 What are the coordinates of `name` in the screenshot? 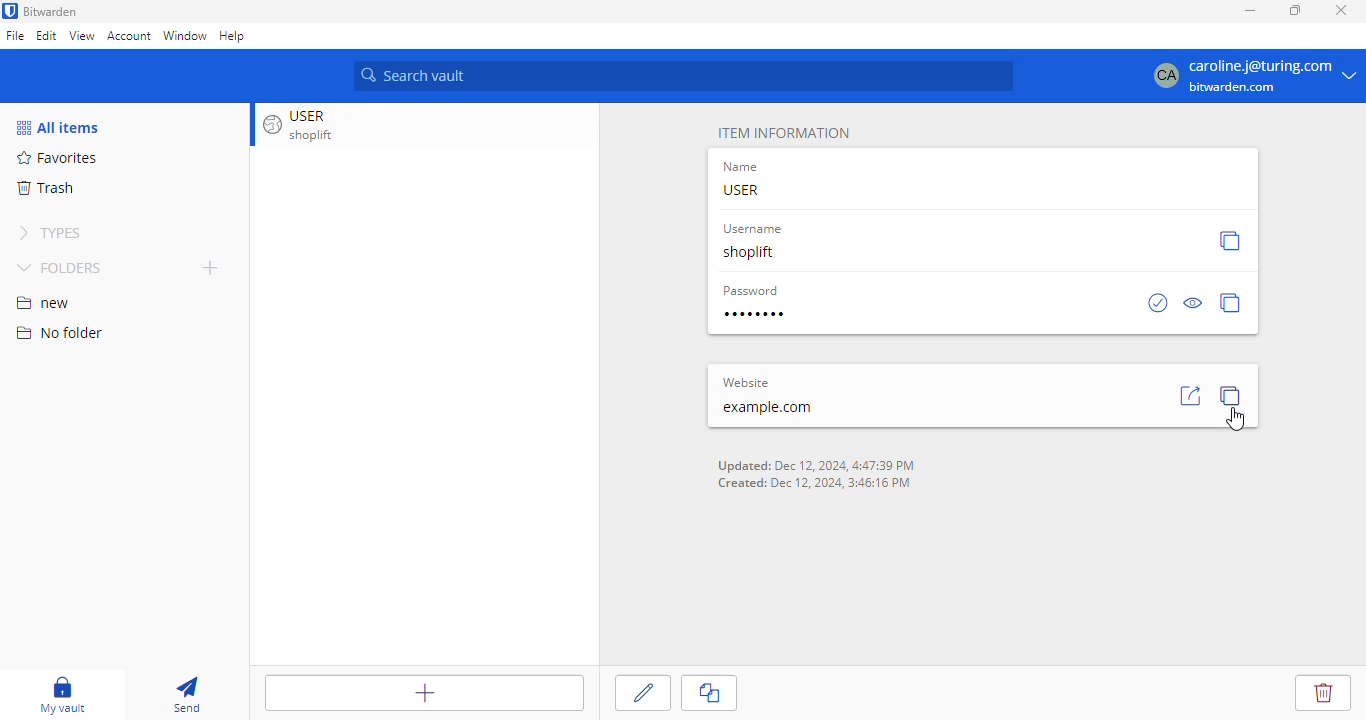 It's located at (743, 167).